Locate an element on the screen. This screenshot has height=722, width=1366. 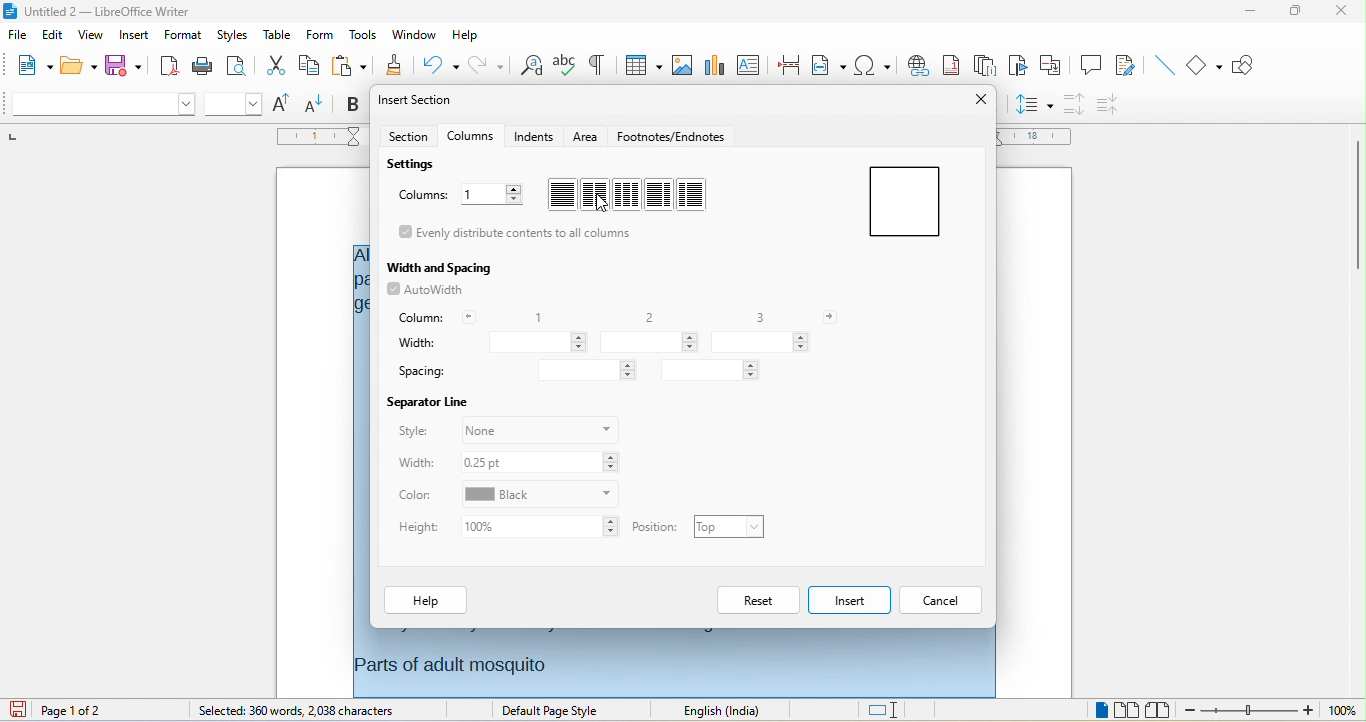
3 is located at coordinates (764, 315).